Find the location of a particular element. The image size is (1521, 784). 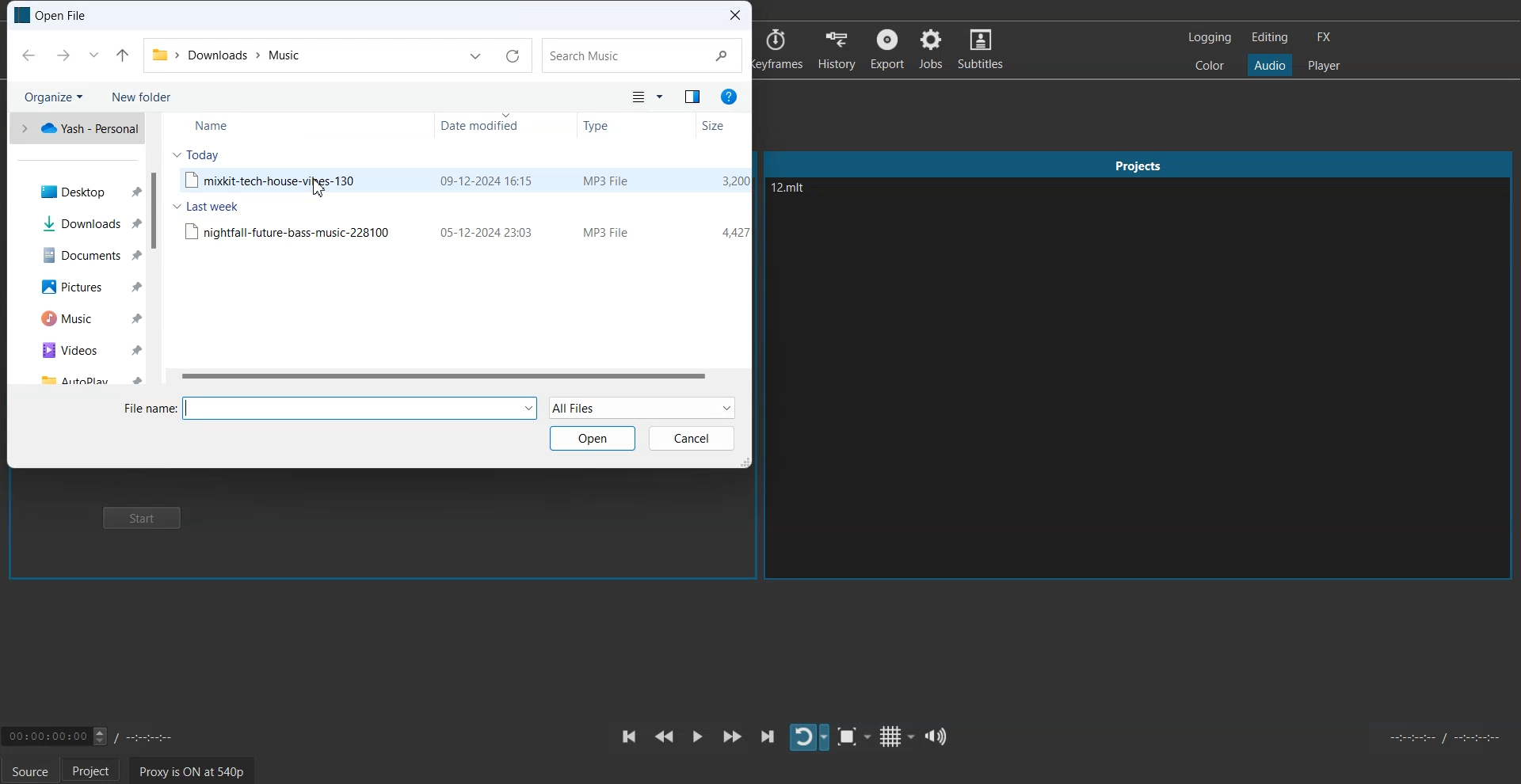

Player is located at coordinates (1324, 64).